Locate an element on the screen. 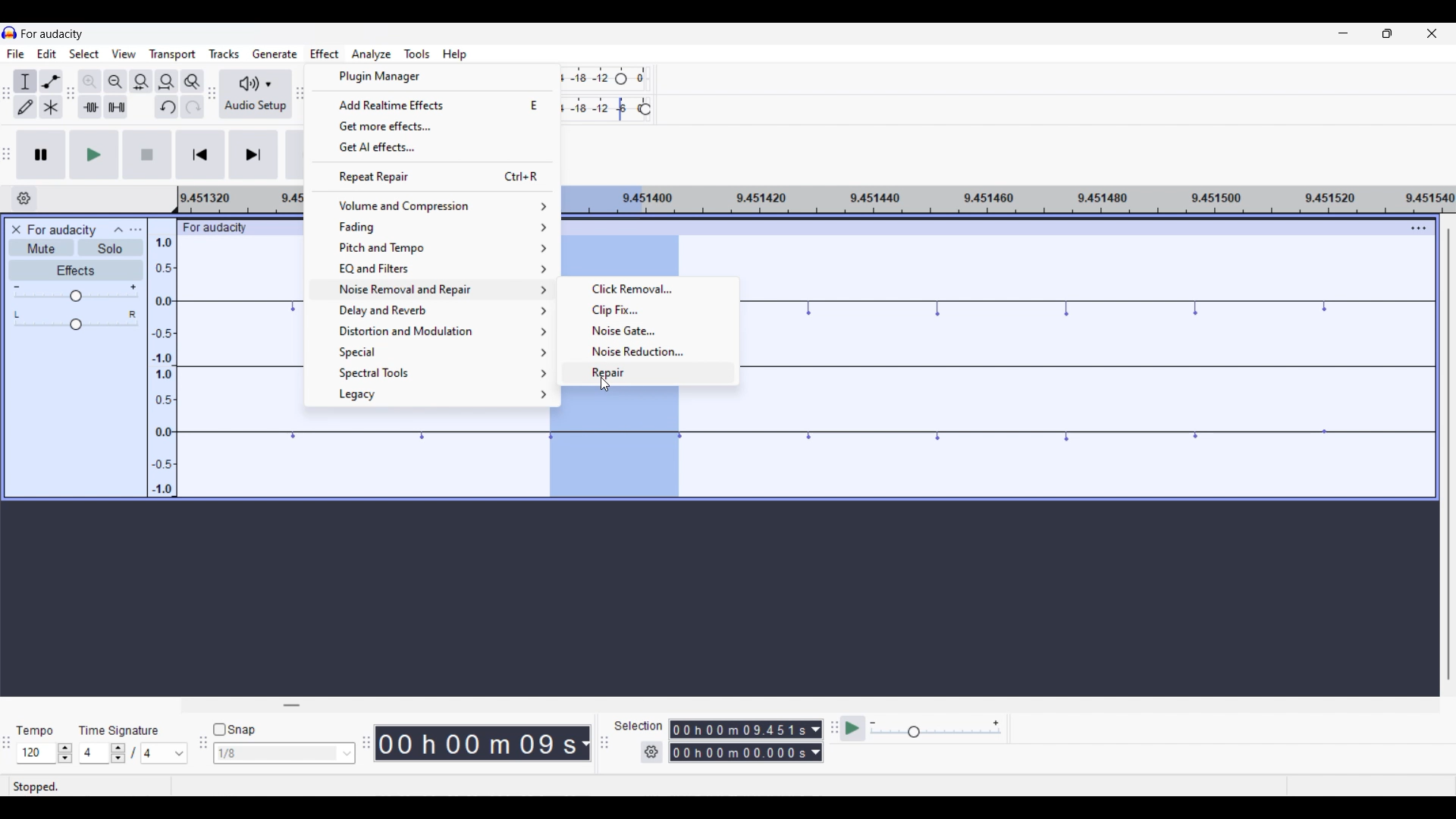  Pause is located at coordinates (41, 155).